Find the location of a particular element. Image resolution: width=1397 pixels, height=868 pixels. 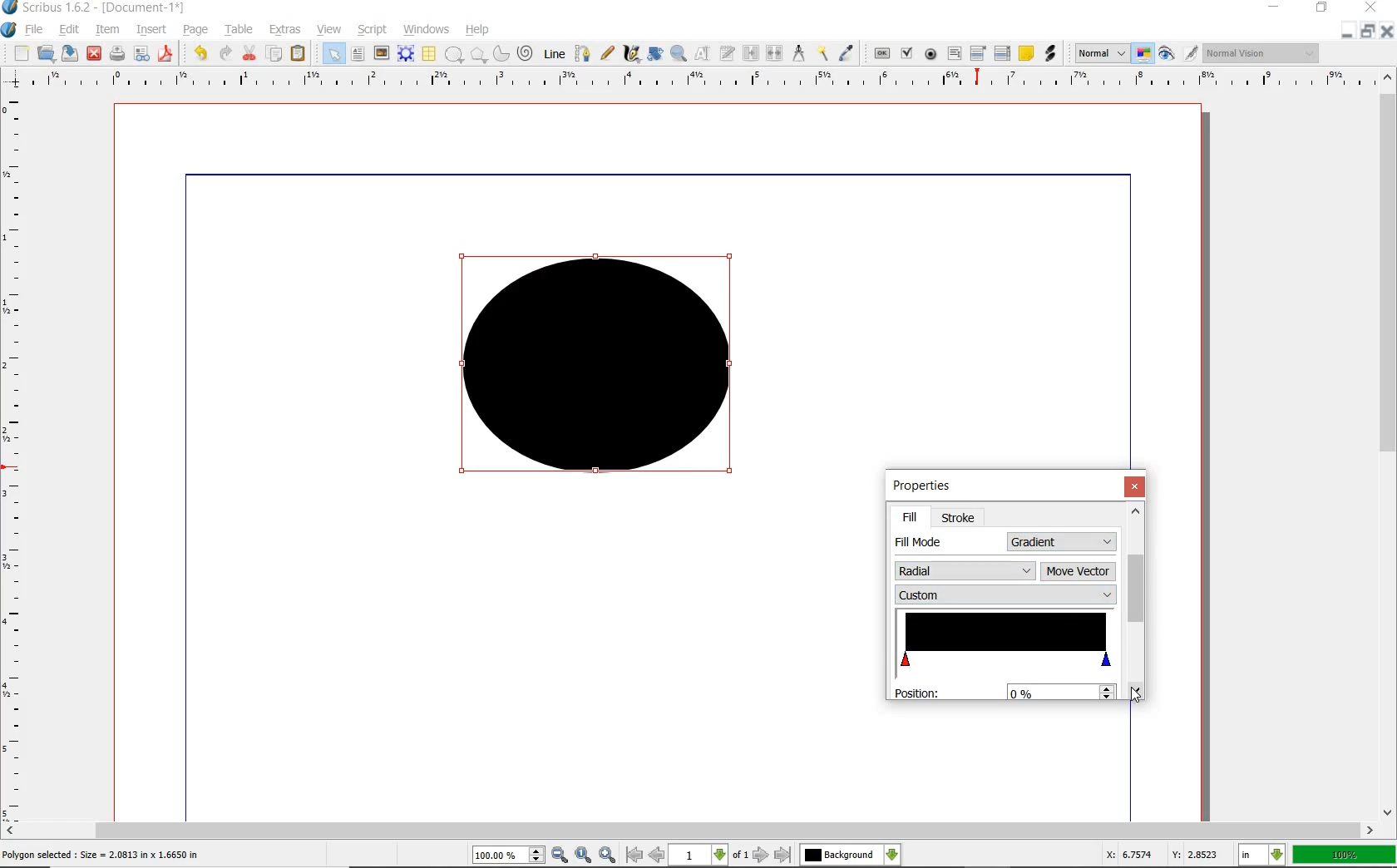

BEZIER CURVE is located at coordinates (583, 53).